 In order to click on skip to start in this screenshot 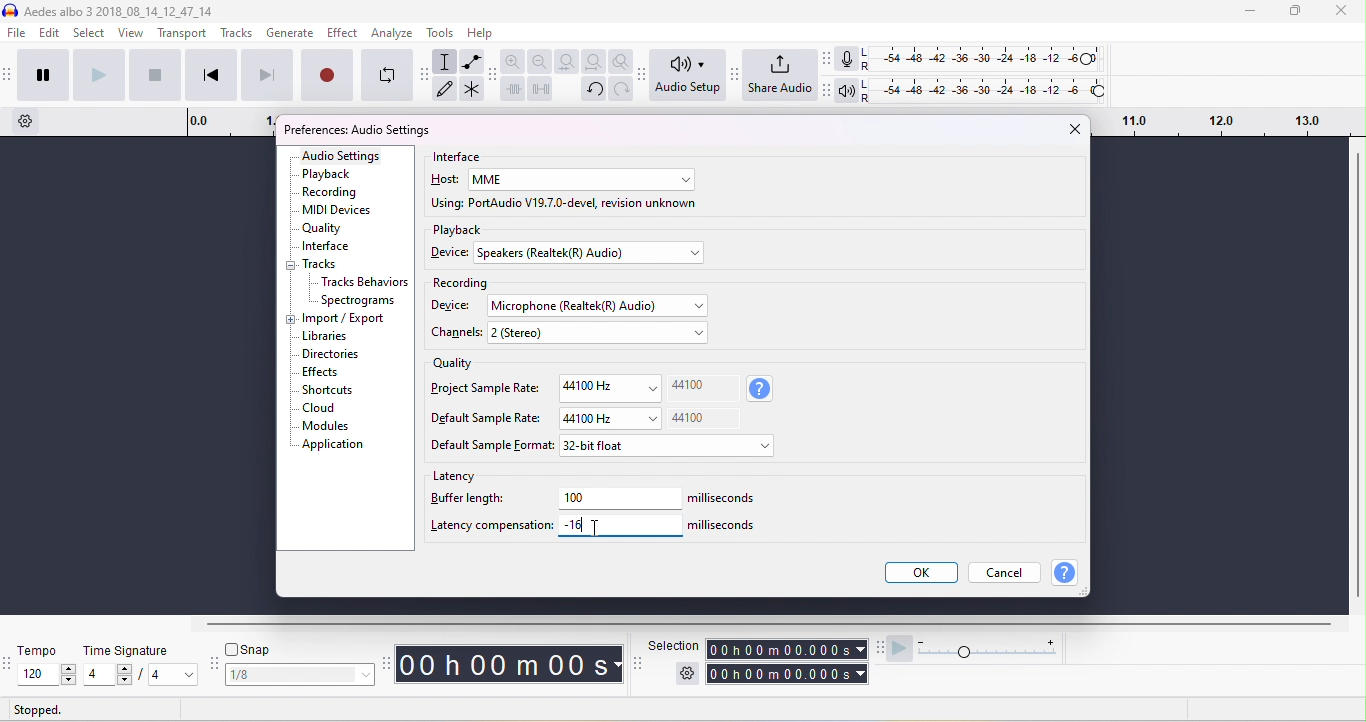, I will do `click(209, 74)`.